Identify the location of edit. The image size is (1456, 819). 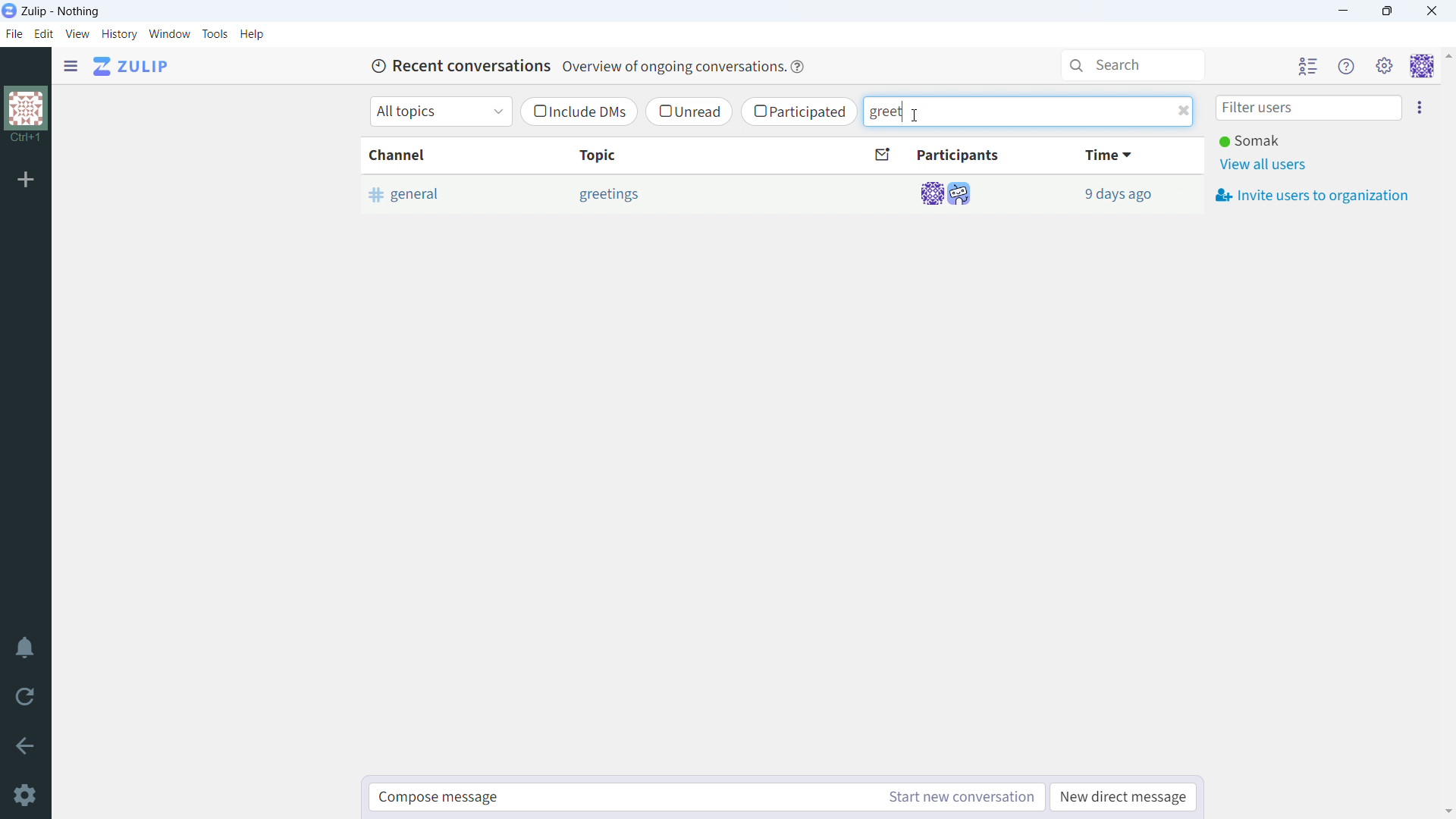
(45, 34).